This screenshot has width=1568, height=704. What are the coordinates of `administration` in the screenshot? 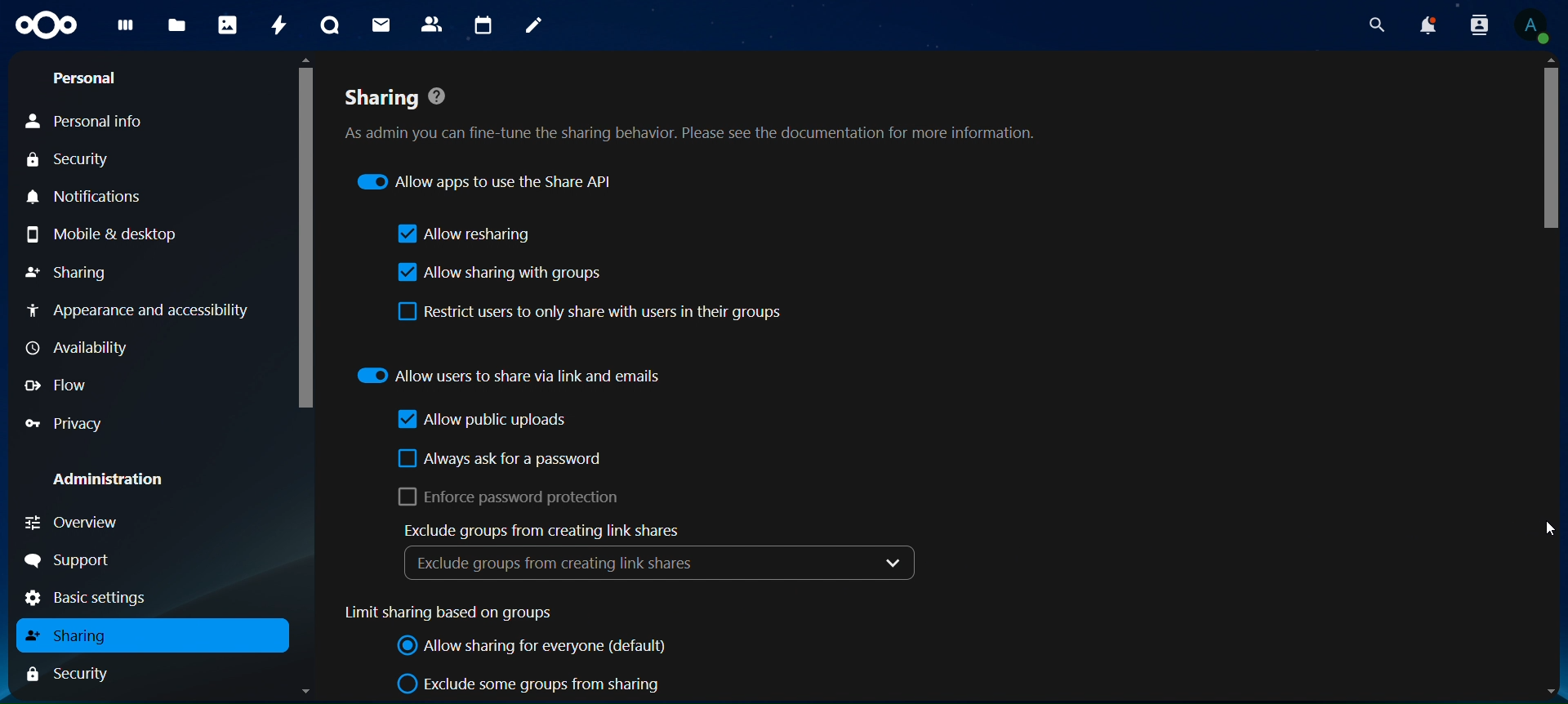 It's located at (109, 481).